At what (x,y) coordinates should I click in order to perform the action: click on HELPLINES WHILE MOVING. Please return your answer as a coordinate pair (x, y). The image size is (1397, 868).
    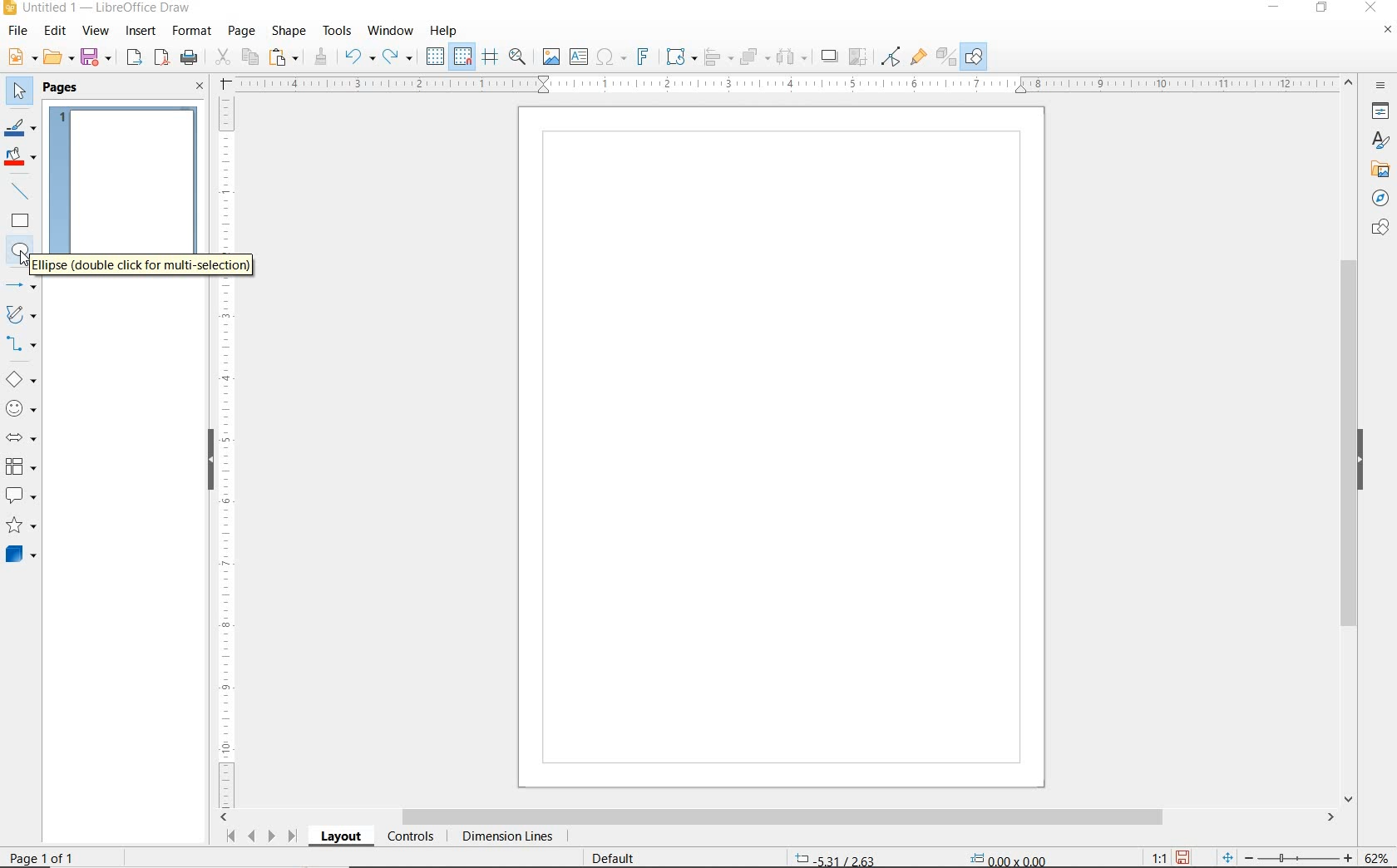
    Looking at the image, I should click on (490, 57).